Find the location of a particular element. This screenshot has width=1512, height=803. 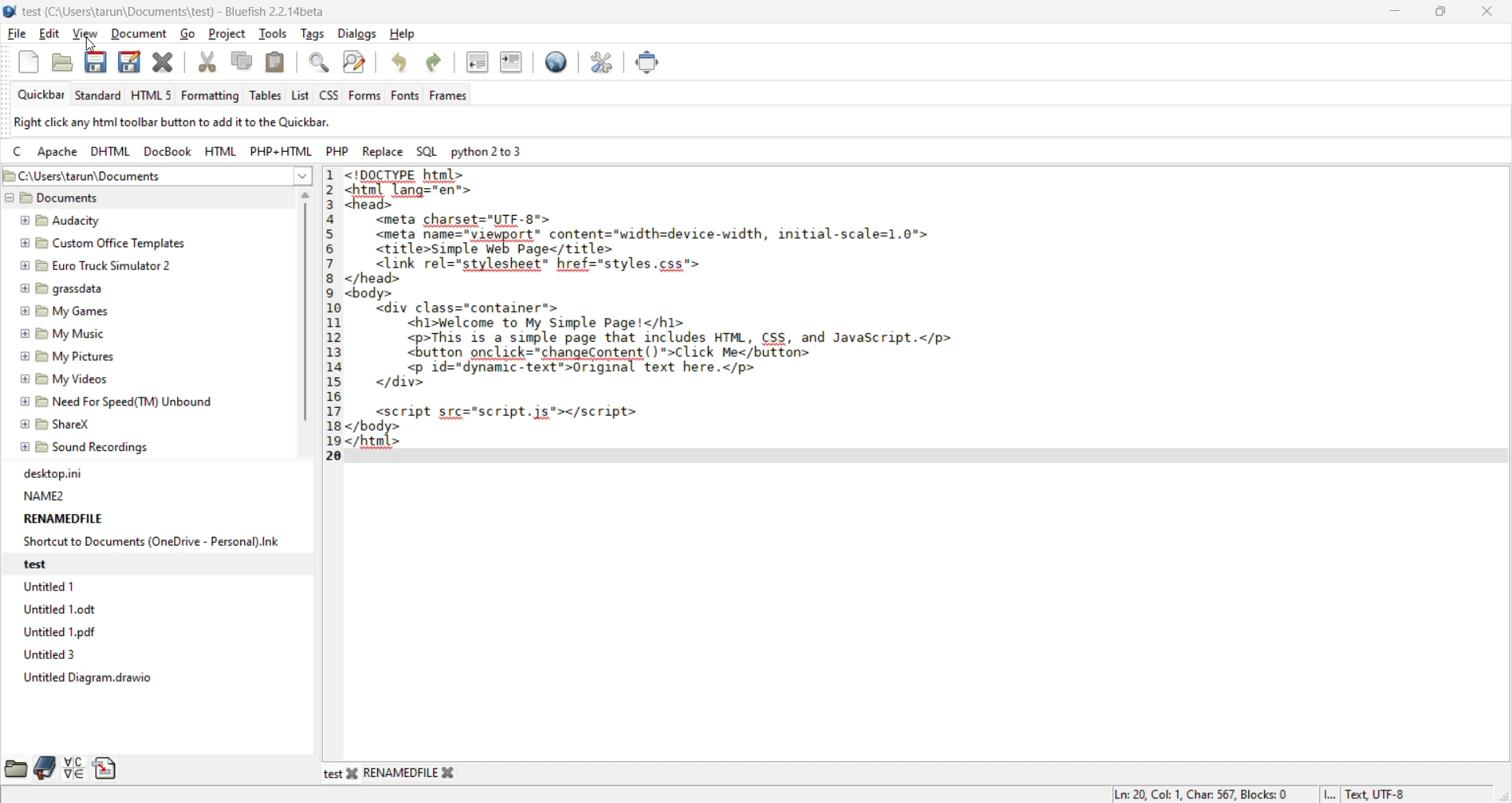

docbook is located at coordinates (169, 153).